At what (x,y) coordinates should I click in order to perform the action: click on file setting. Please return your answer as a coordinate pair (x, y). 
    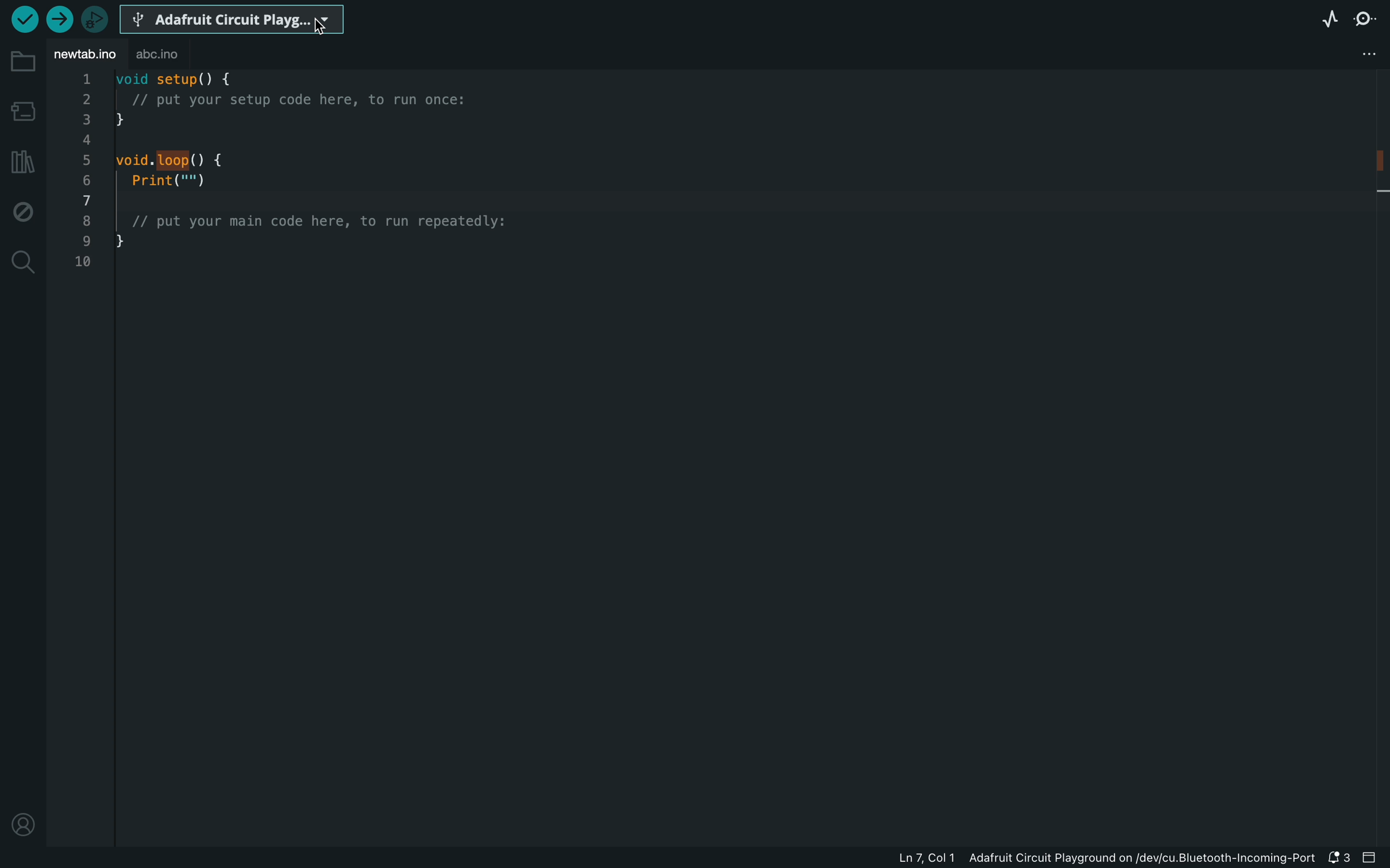
    Looking at the image, I should click on (1372, 52).